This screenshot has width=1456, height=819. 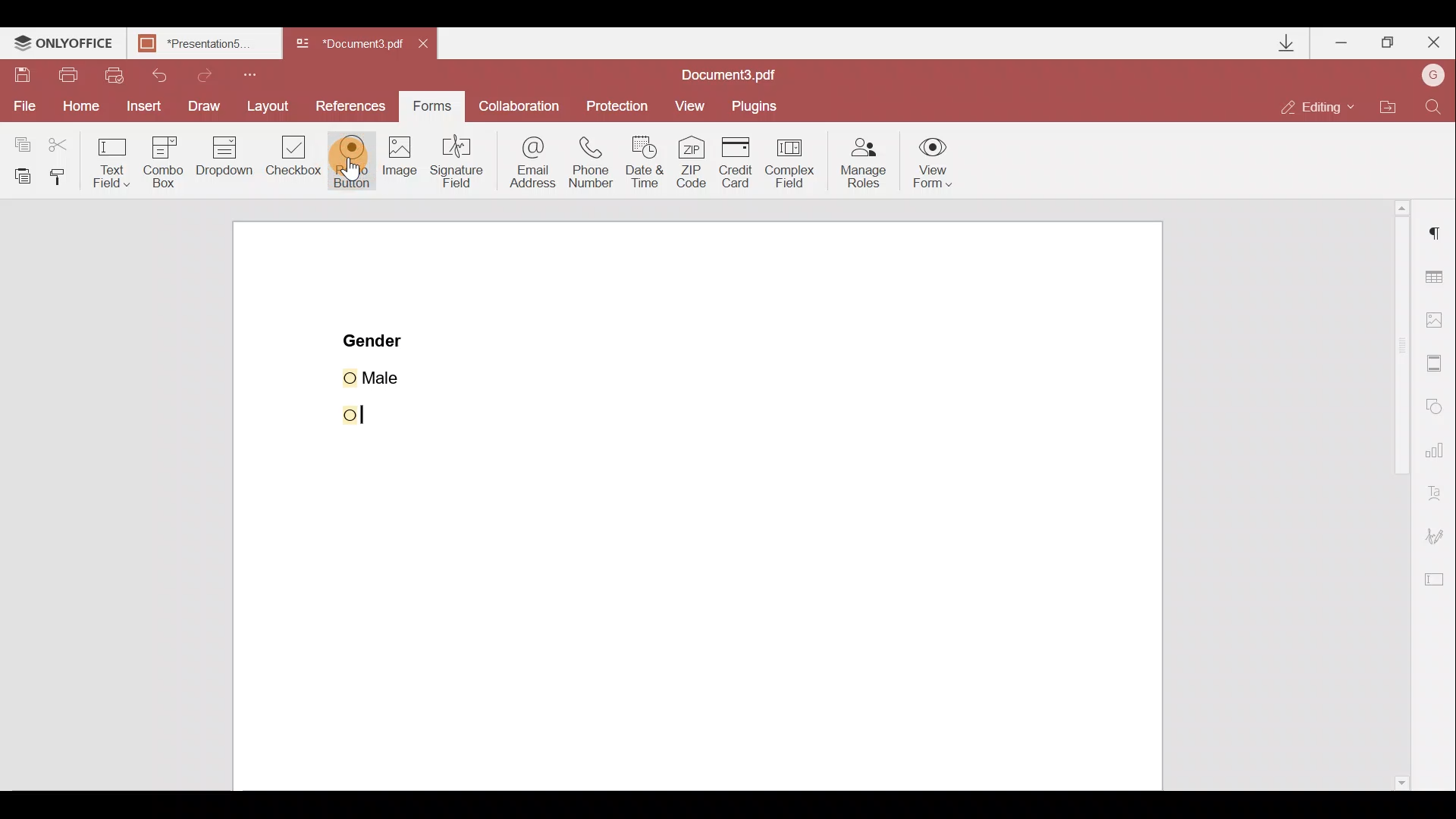 I want to click on Customize quick access toolbar, so click(x=259, y=73).